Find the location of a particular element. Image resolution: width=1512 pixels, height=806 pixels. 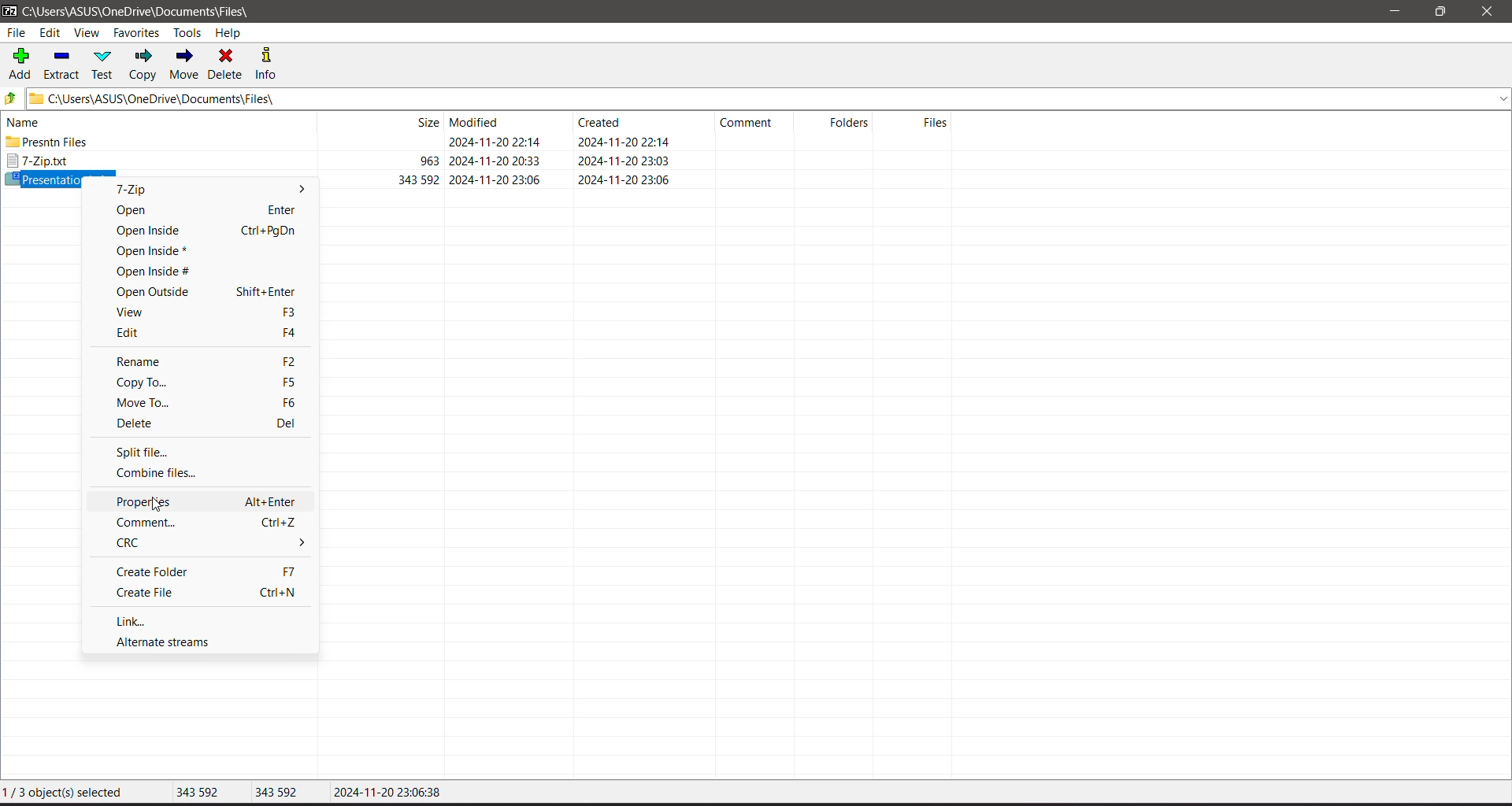

7-Zip is located at coordinates (132, 190).